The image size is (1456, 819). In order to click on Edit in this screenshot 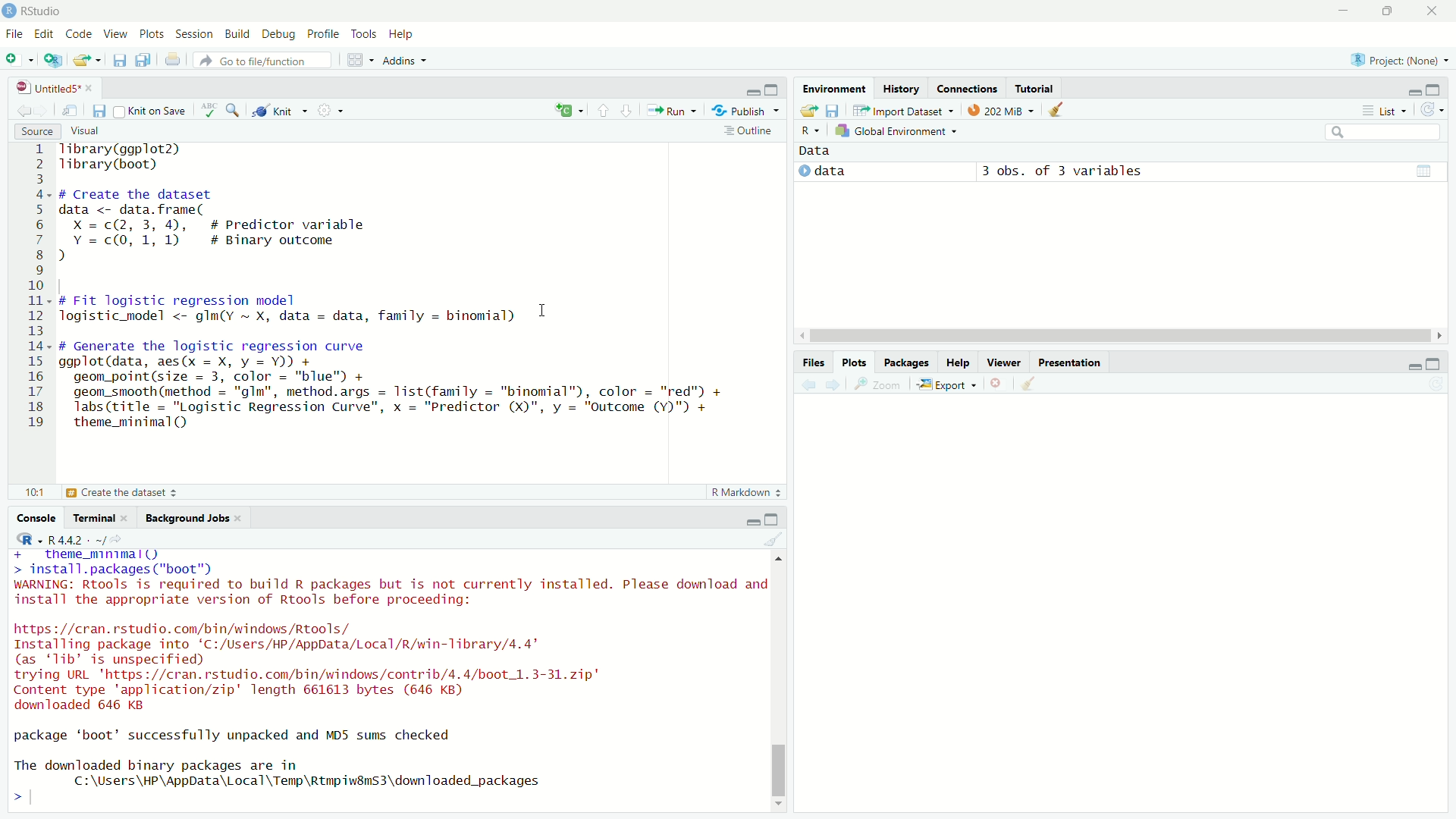, I will do `click(42, 33)`.